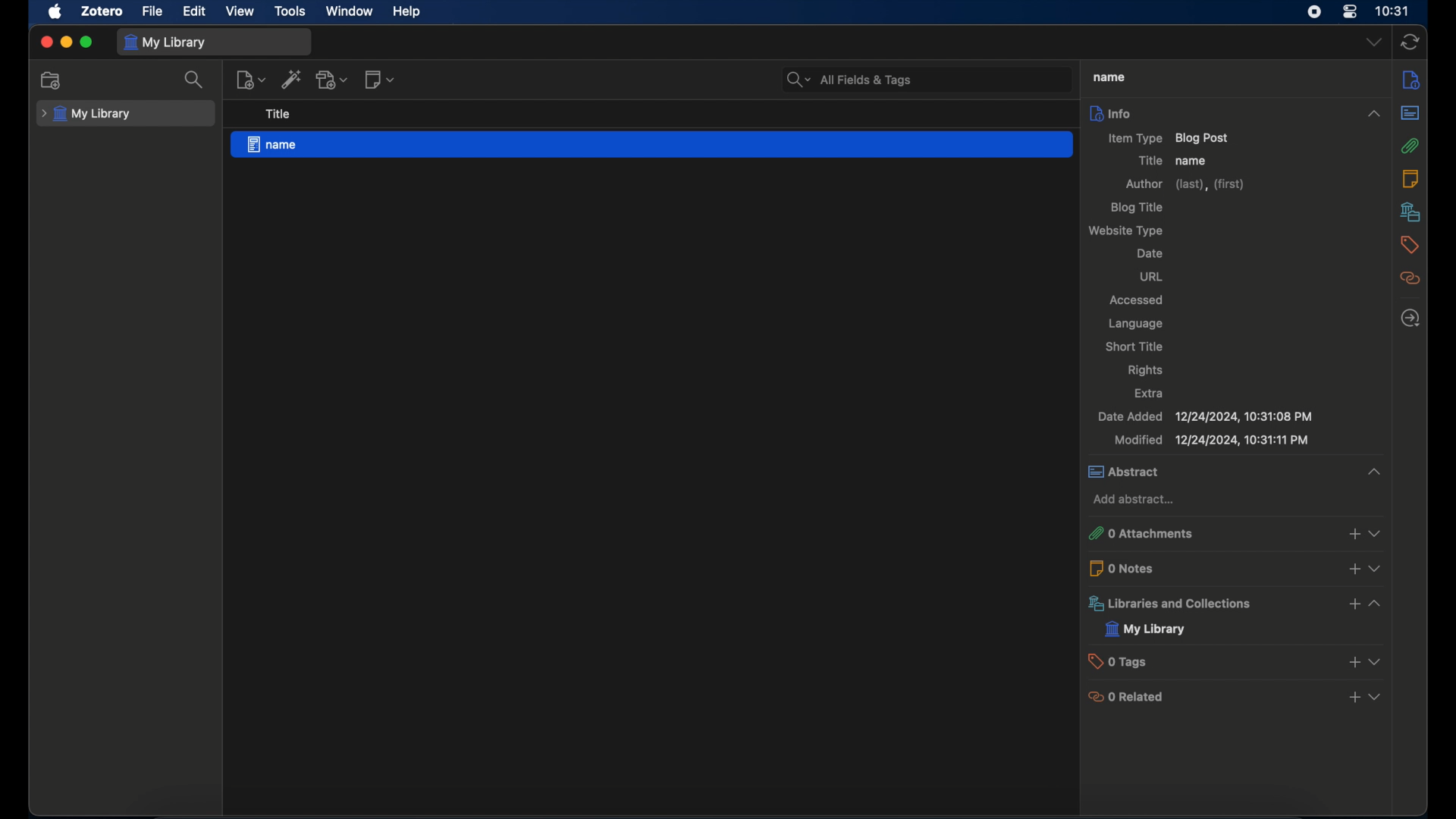 The width and height of the screenshot is (1456, 819). What do you see at coordinates (1185, 184) in the screenshot?
I see `author` at bounding box center [1185, 184].